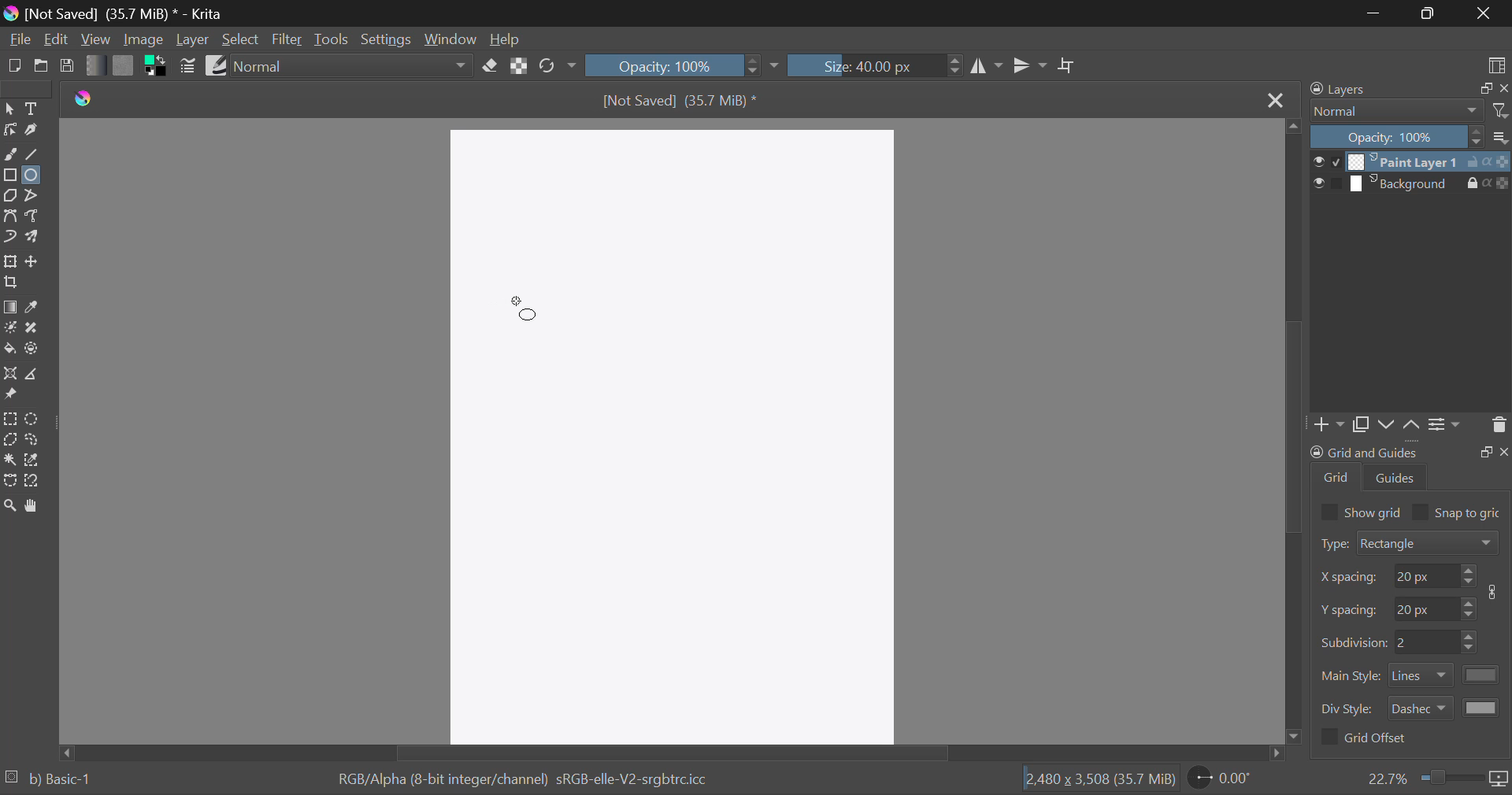 The height and width of the screenshot is (795, 1512). I want to click on Choose Workspace, so click(1495, 65).